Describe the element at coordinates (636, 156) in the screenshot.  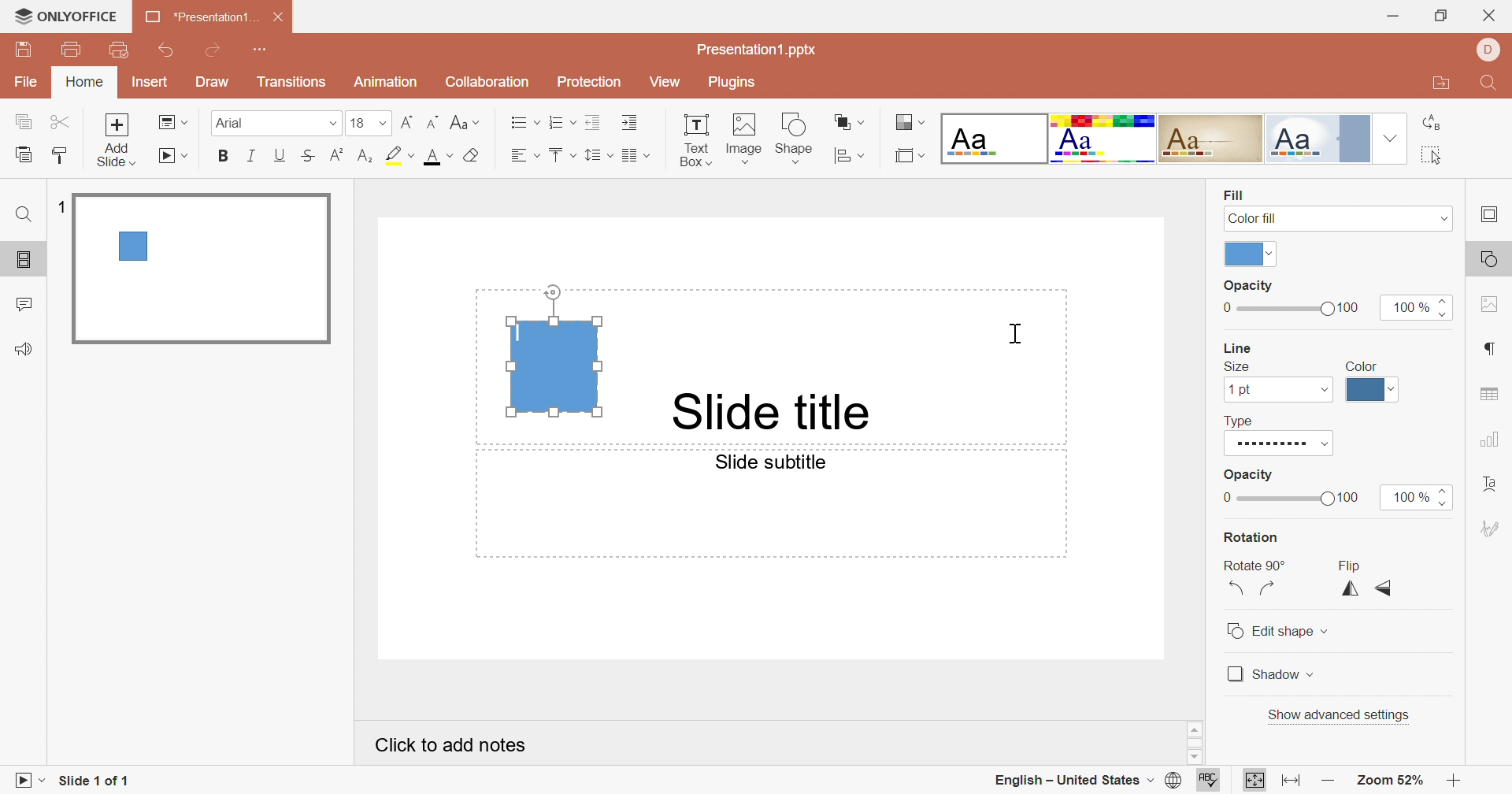
I see `Insert columns` at that location.